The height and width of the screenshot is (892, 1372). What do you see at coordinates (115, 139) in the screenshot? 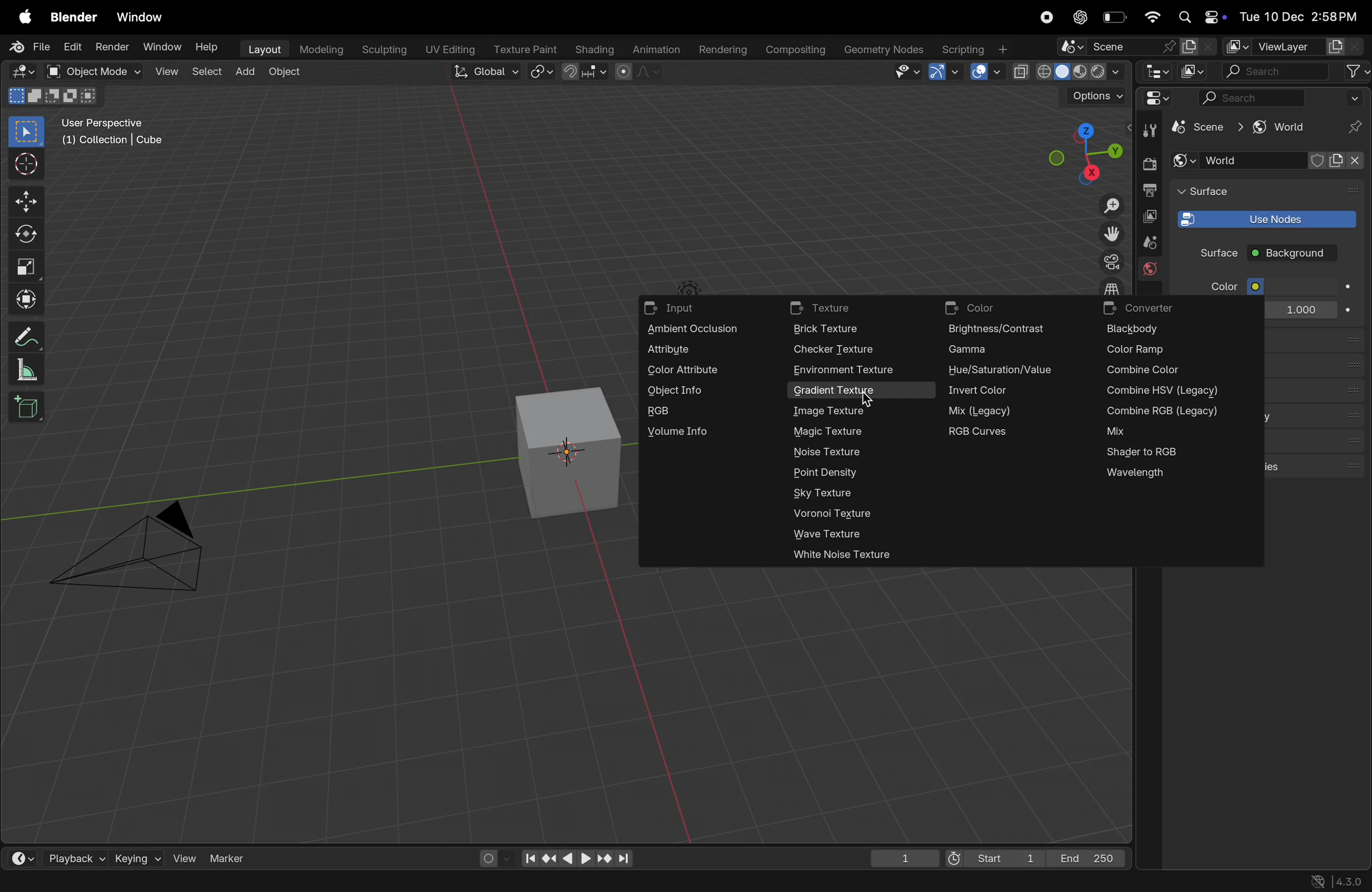
I see `User persopective` at bounding box center [115, 139].